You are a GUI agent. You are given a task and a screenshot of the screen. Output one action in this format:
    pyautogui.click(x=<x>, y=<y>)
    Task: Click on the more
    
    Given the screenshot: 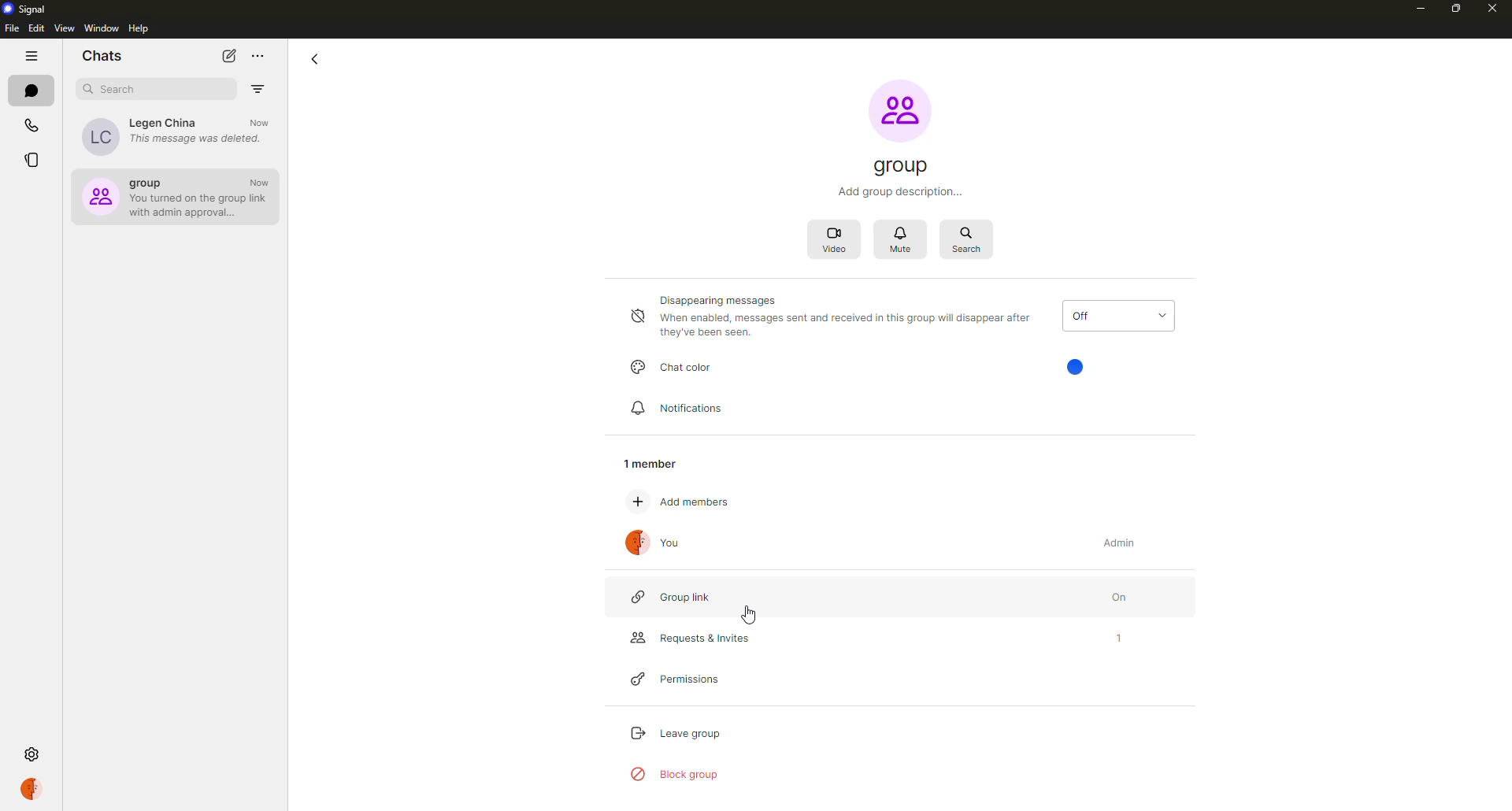 What is the action you would take?
    pyautogui.click(x=258, y=56)
    